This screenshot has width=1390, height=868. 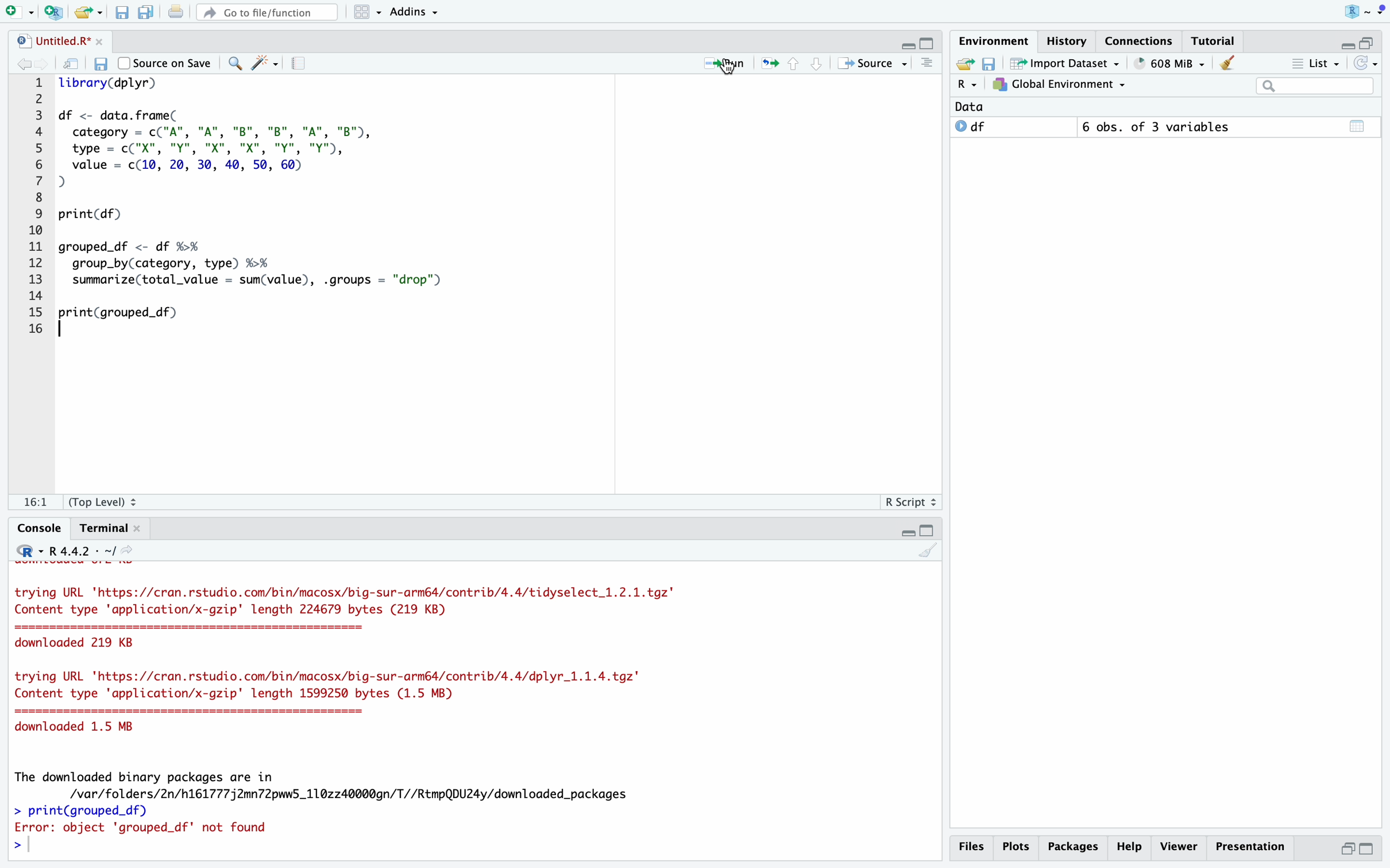 I want to click on Source on Save, so click(x=163, y=62).